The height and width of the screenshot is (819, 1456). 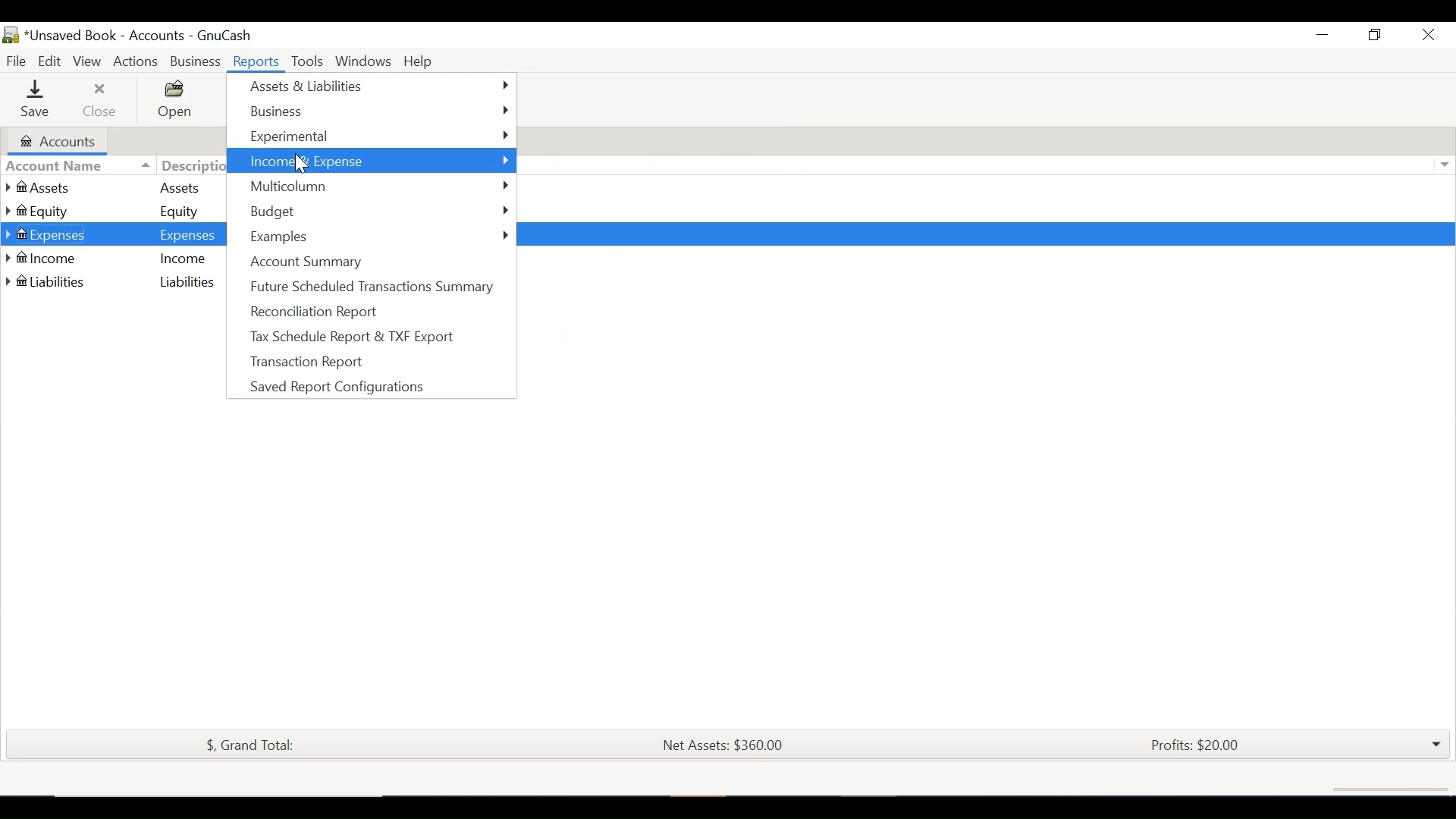 What do you see at coordinates (363, 61) in the screenshot?
I see `Windows` at bounding box center [363, 61].